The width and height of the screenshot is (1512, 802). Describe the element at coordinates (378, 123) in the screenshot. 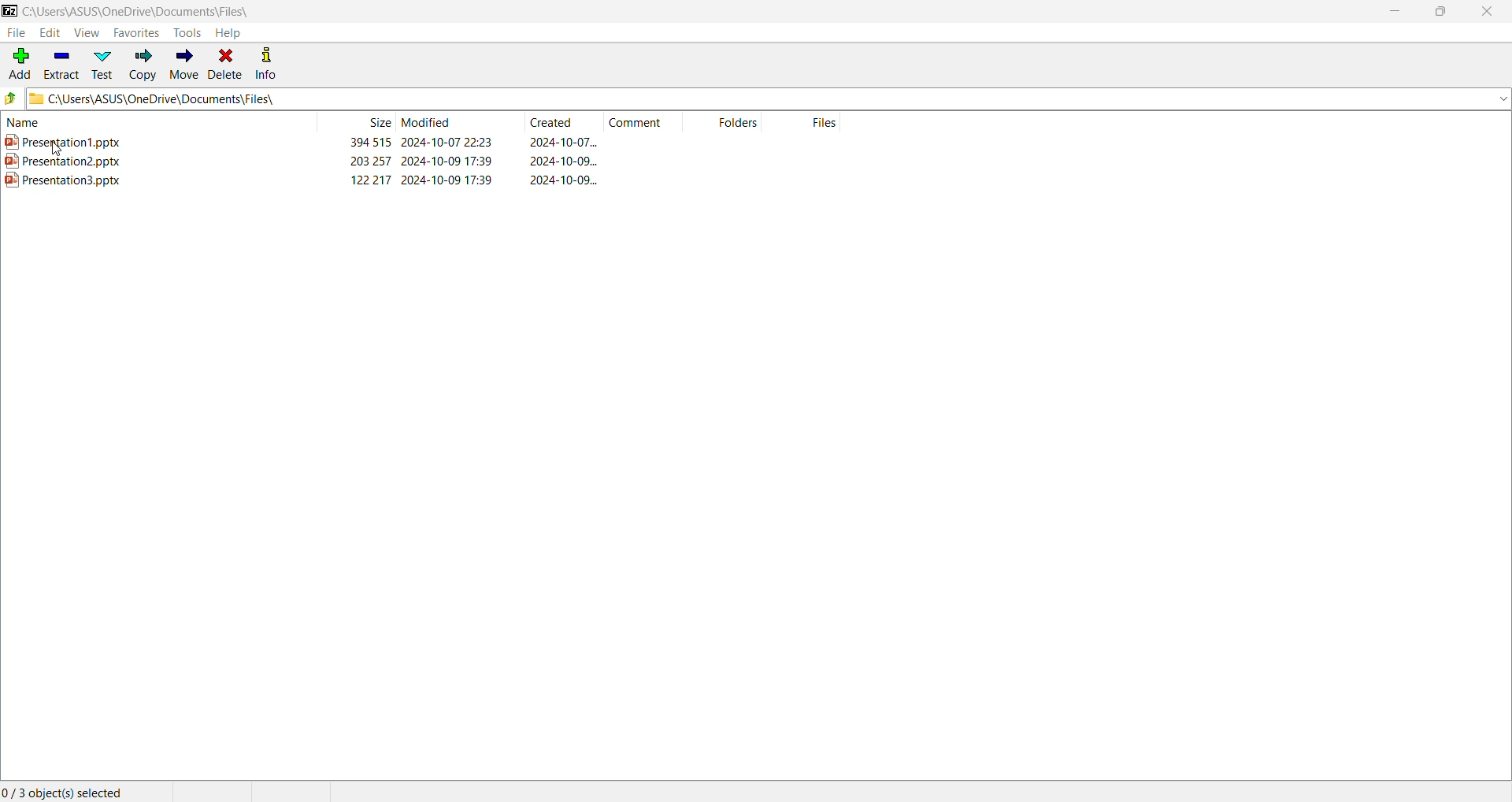

I see `Size` at that location.